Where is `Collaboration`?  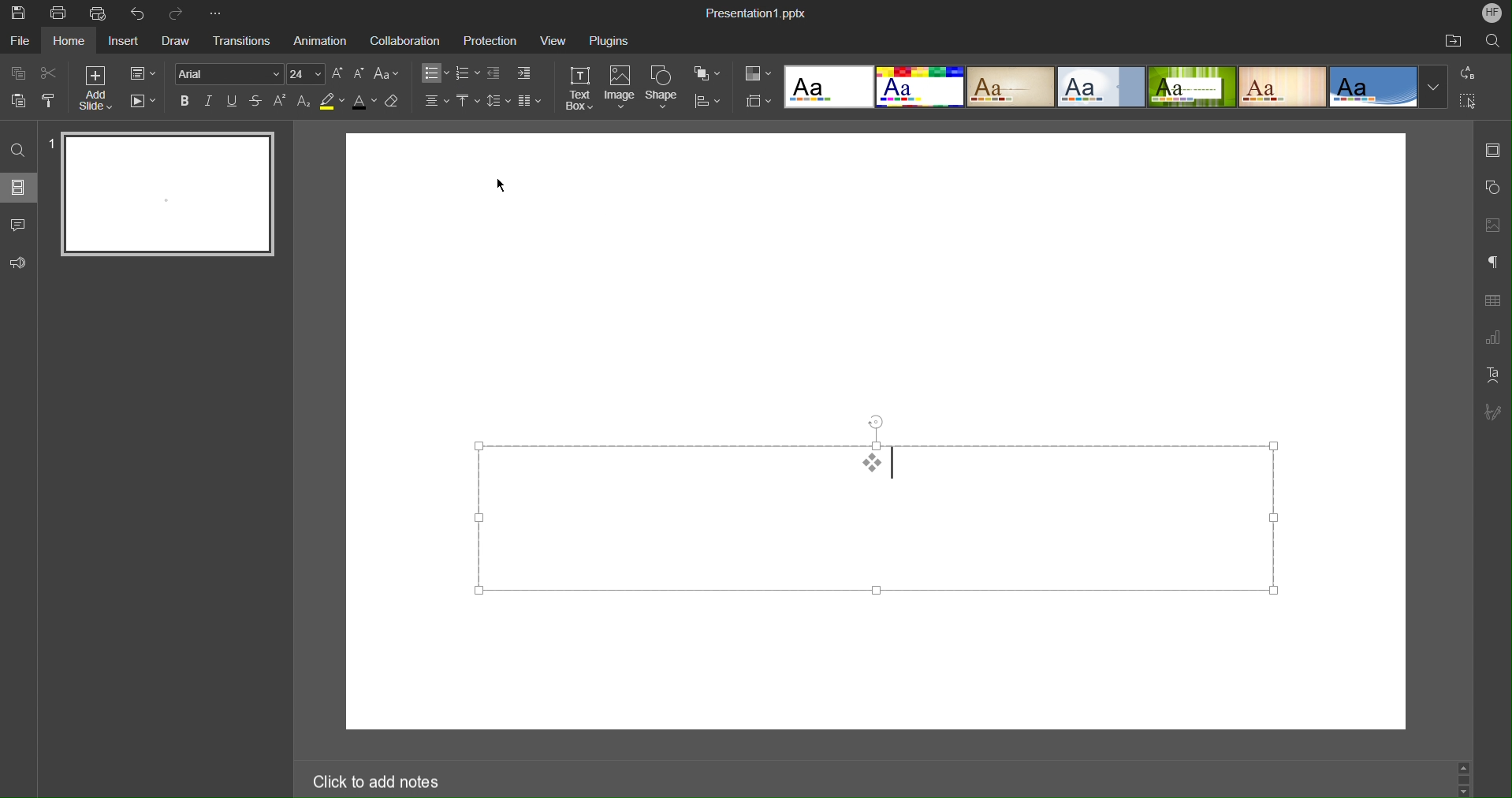 Collaboration is located at coordinates (402, 41).